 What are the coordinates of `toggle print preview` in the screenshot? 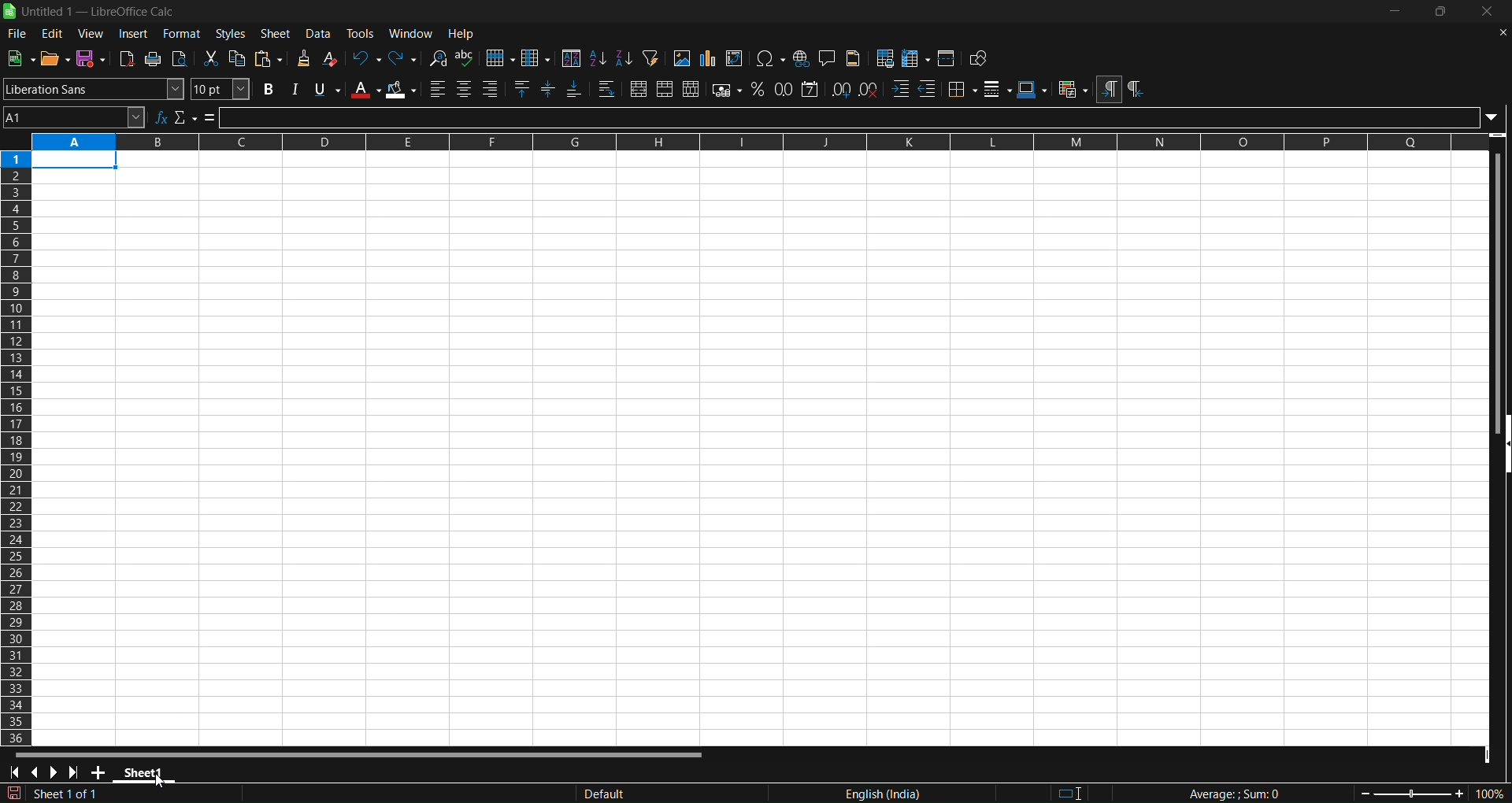 It's located at (180, 59).